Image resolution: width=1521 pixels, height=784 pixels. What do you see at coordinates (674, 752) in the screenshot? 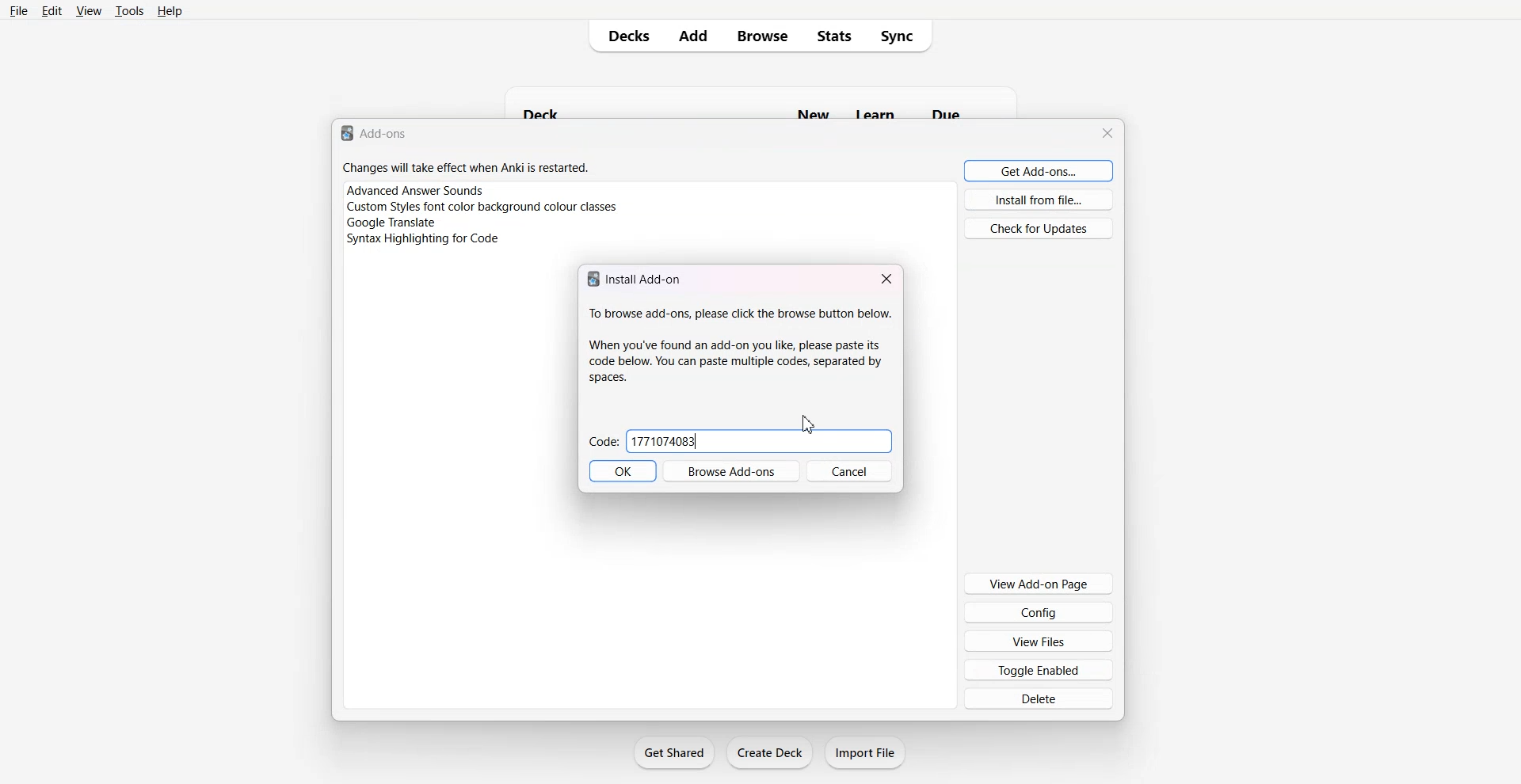
I see `Get Shared` at bounding box center [674, 752].